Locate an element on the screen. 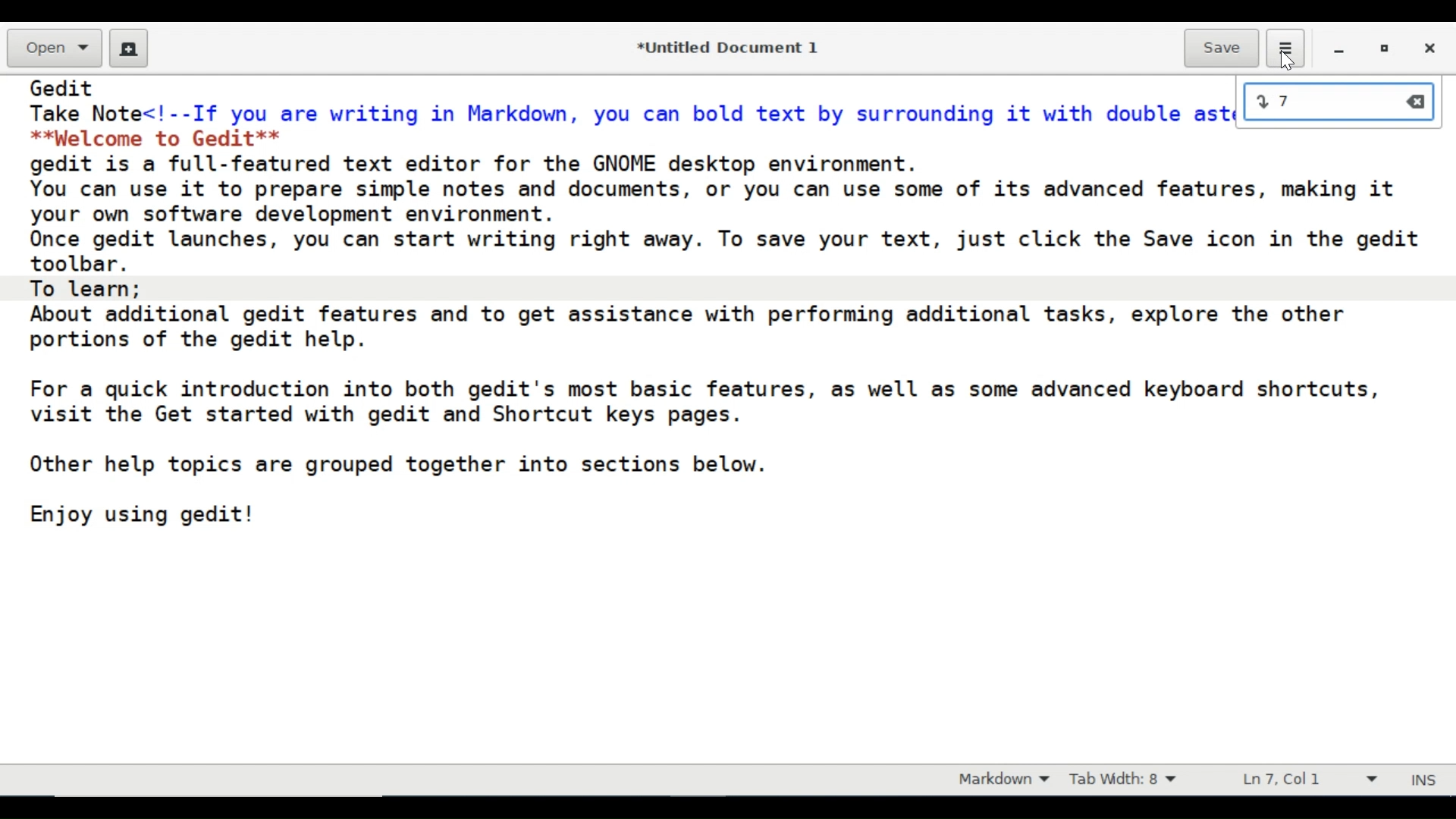 This screenshot has width=1456, height=819. Save is located at coordinates (1221, 49).